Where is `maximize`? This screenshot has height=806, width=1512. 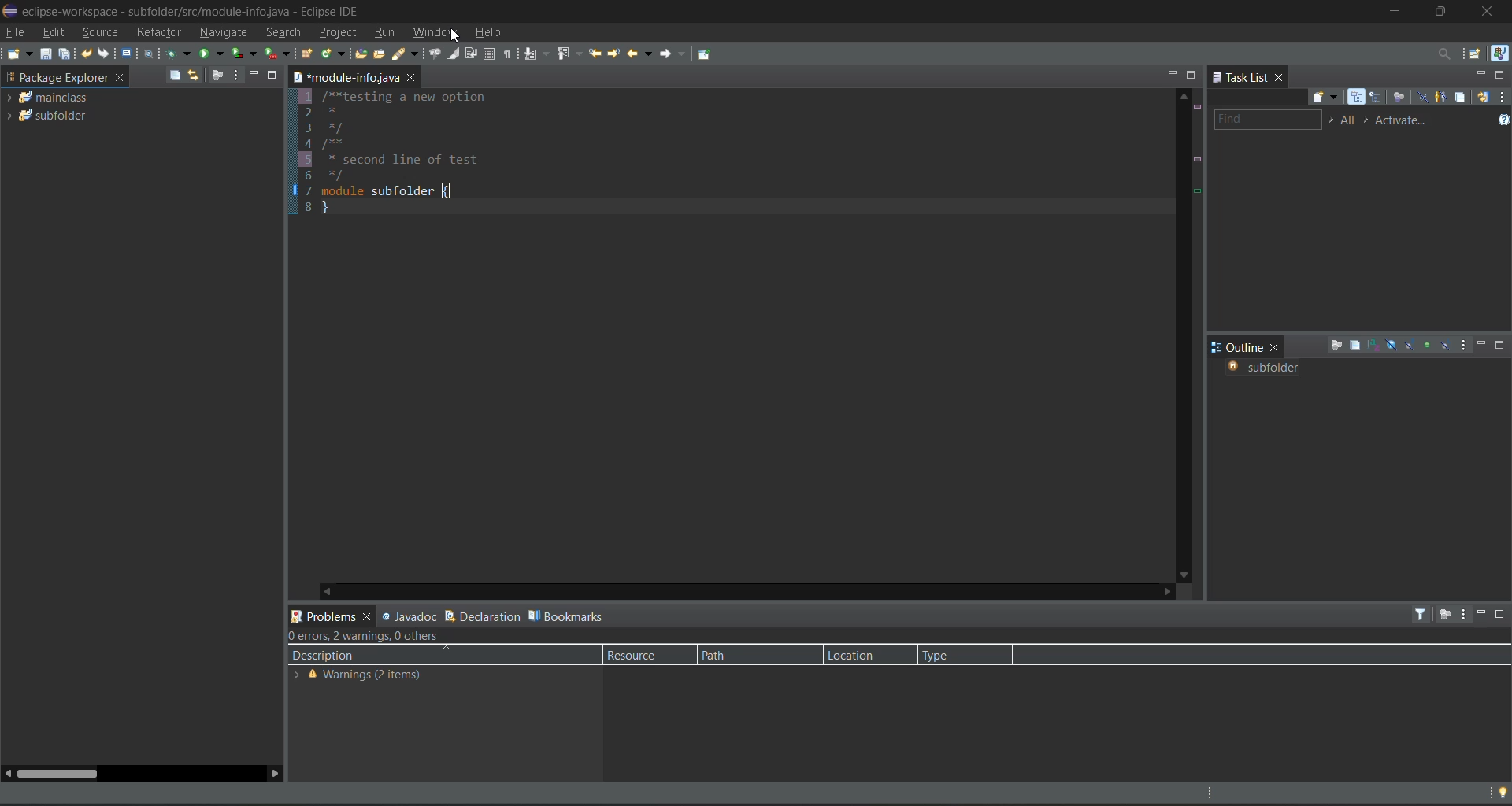 maximize is located at coordinates (1442, 12).